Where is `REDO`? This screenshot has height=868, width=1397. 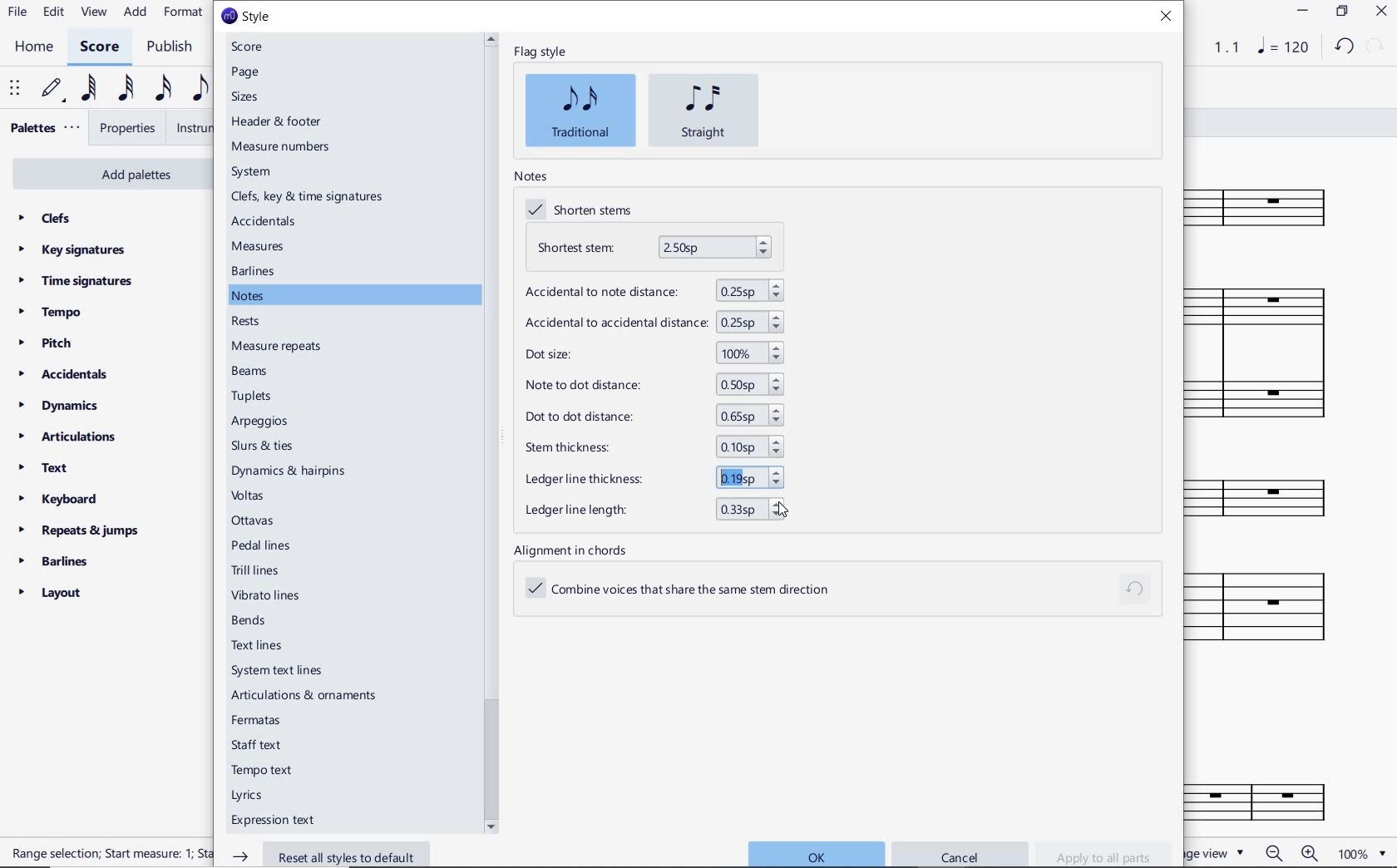
REDO is located at coordinates (1376, 47).